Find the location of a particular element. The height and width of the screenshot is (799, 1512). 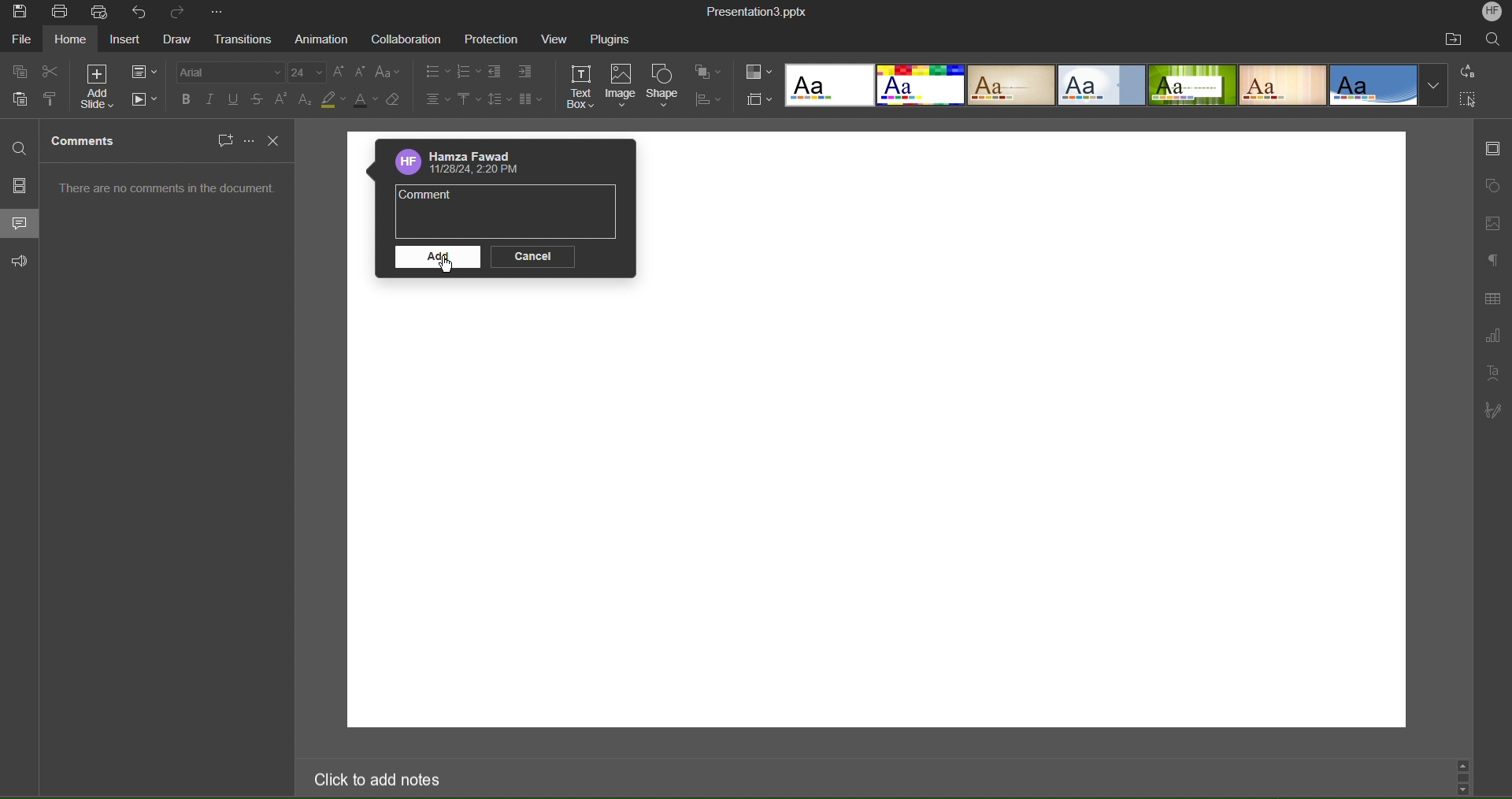

File is located at coordinates (20, 40).